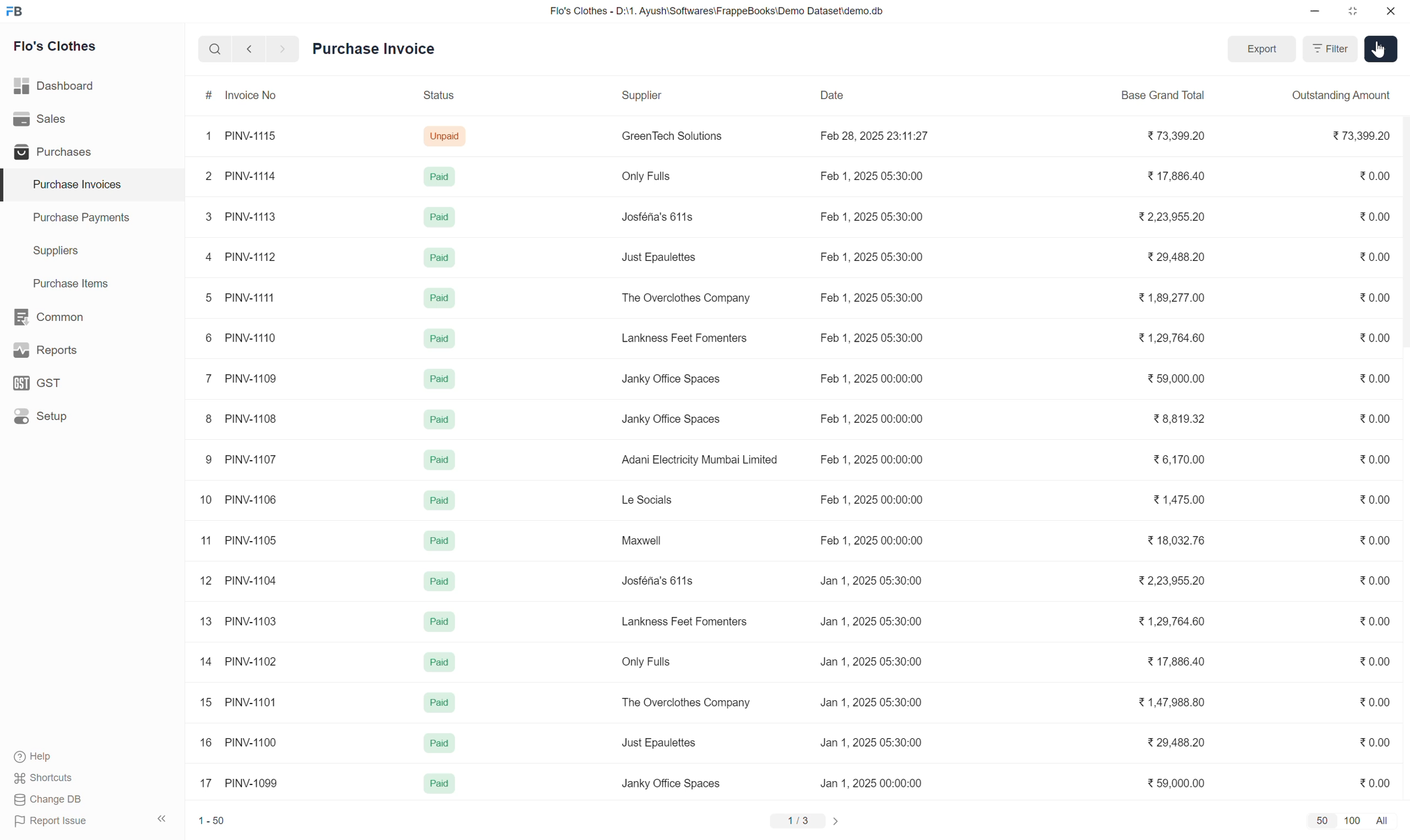 This screenshot has height=840, width=1410. I want to click on 15, so click(206, 705).